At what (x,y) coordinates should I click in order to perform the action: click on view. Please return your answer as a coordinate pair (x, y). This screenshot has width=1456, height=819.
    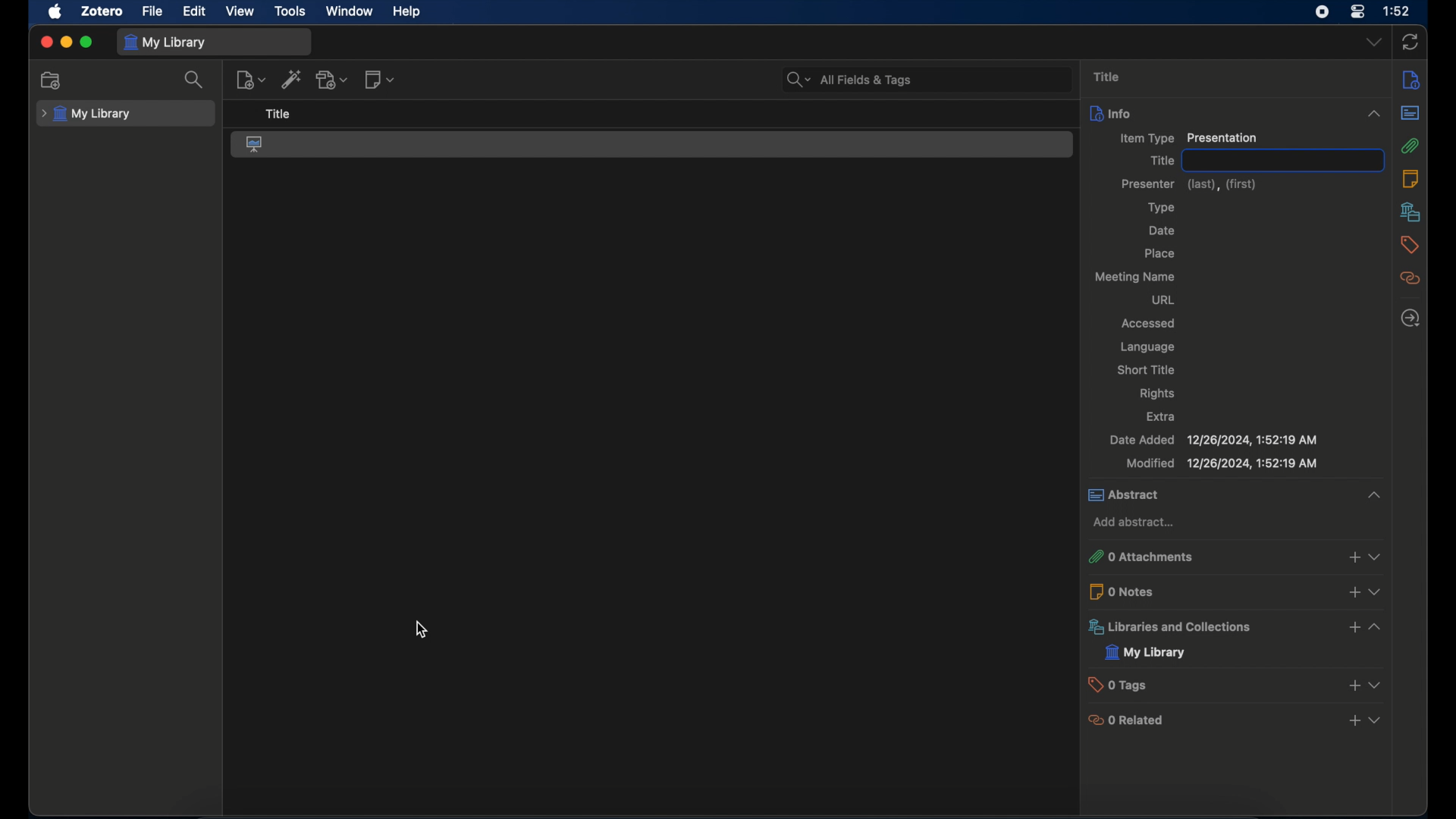
    Looking at the image, I should click on (240, 11).